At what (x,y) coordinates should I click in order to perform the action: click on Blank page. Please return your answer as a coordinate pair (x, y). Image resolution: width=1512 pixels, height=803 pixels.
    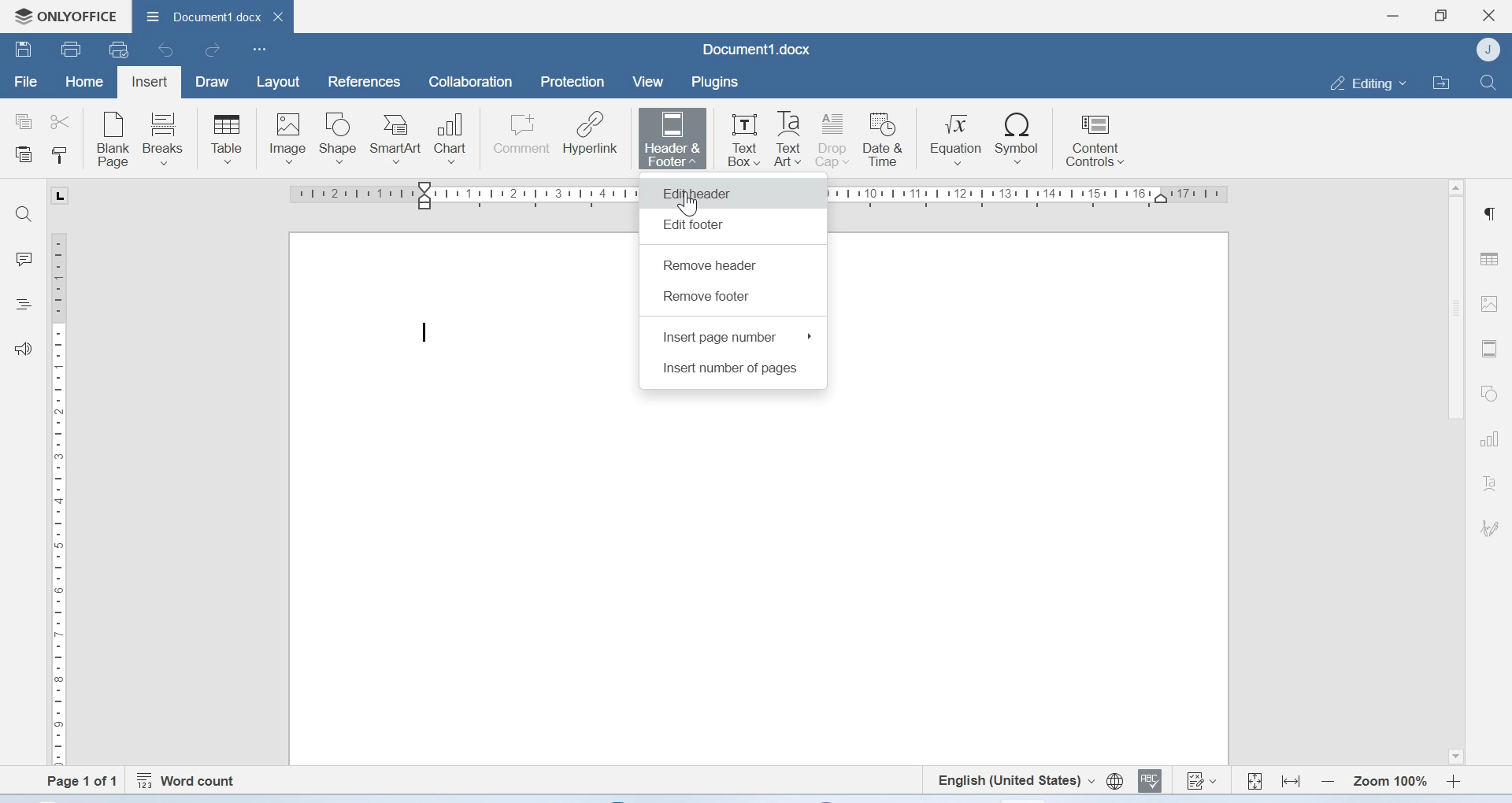
    Looking at the image, I should click on (114, 138).